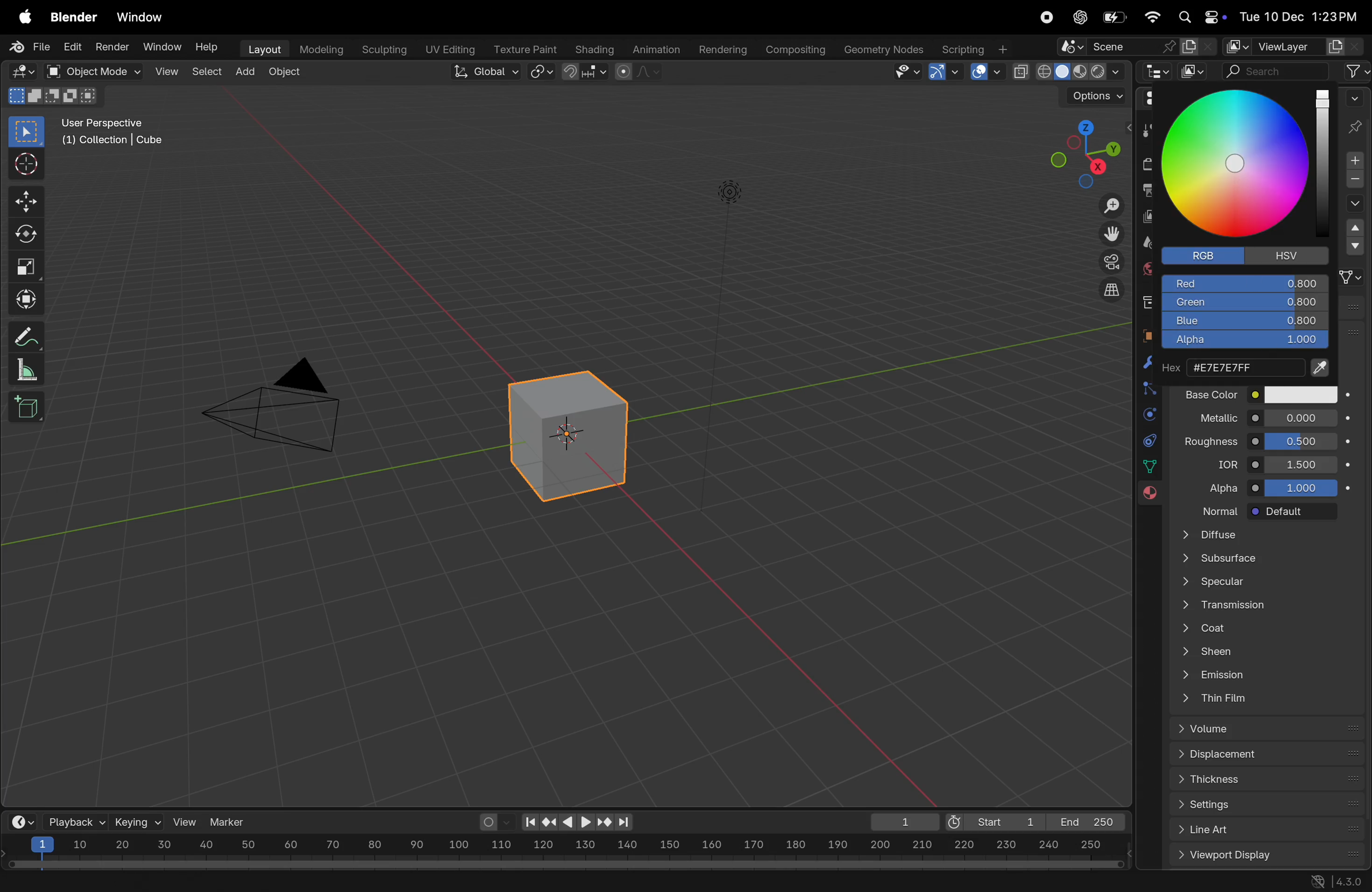 The image size is (1372, 892). What do you see at coordinates (1147, 300) in the screenshot?
I see `collection` at bounding box center [1147, 300].